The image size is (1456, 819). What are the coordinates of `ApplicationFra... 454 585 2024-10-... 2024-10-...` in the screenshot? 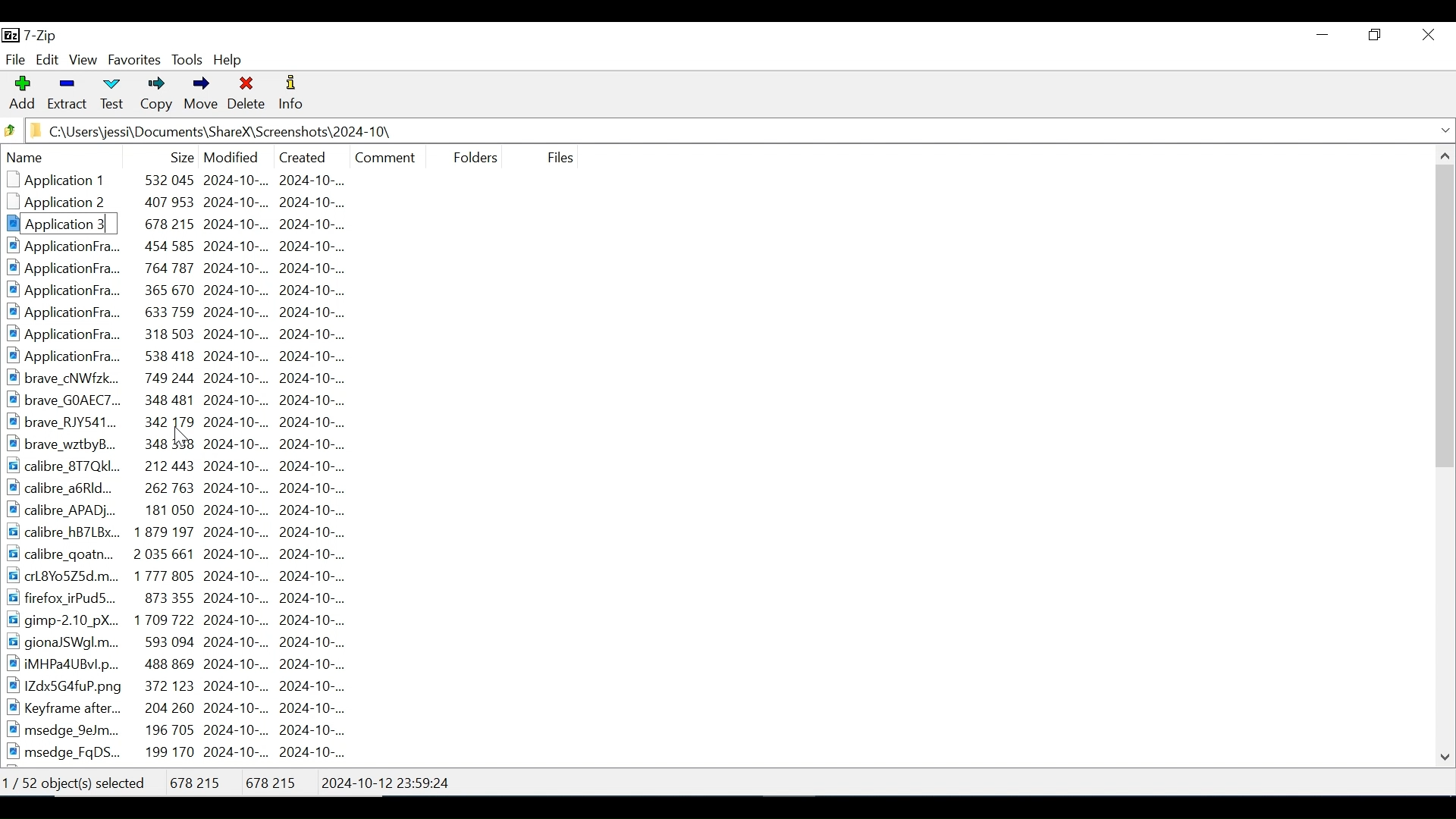 It's located at (189, 247).